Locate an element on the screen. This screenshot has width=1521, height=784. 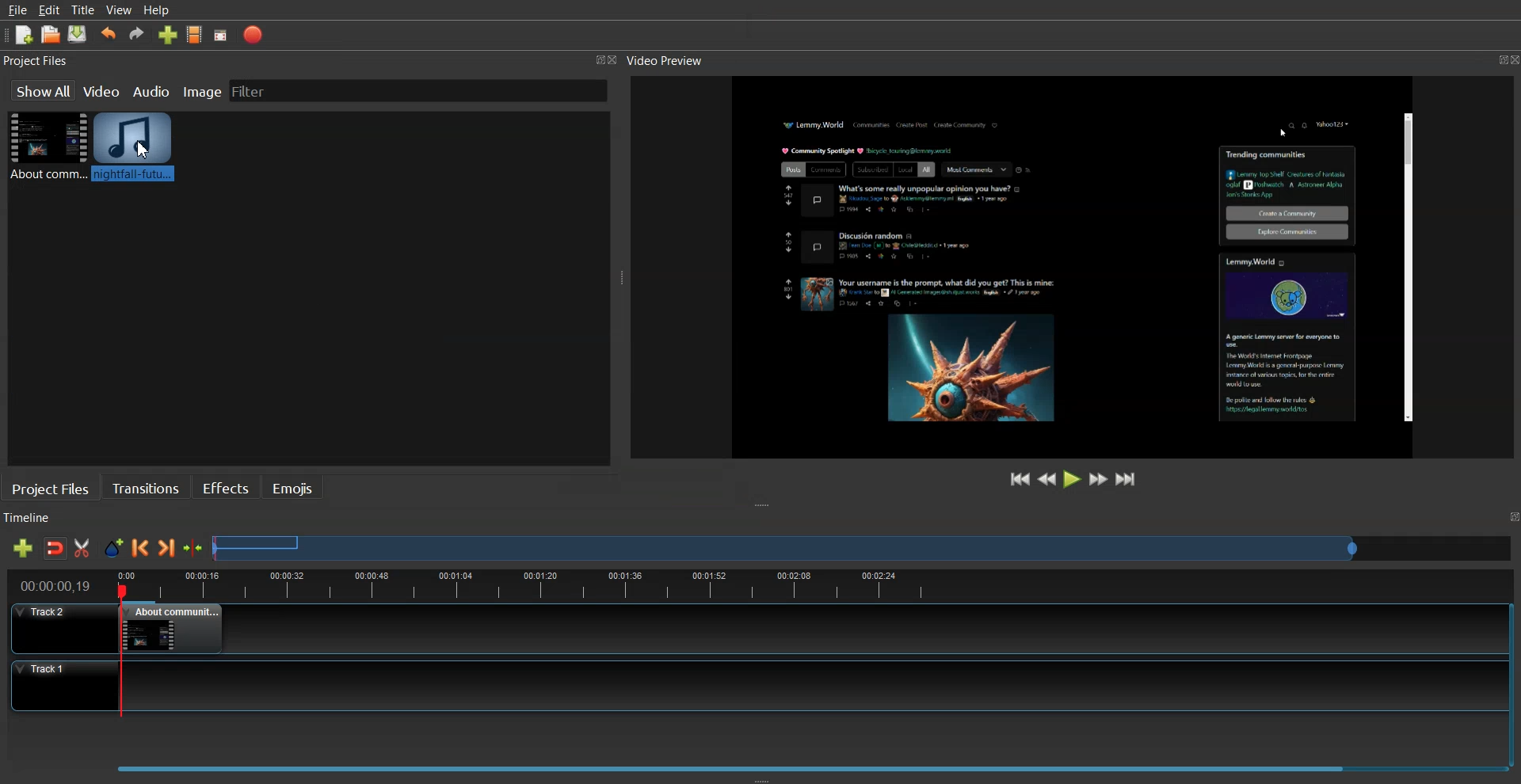
File Preview is located at coordinates (1050, 263).